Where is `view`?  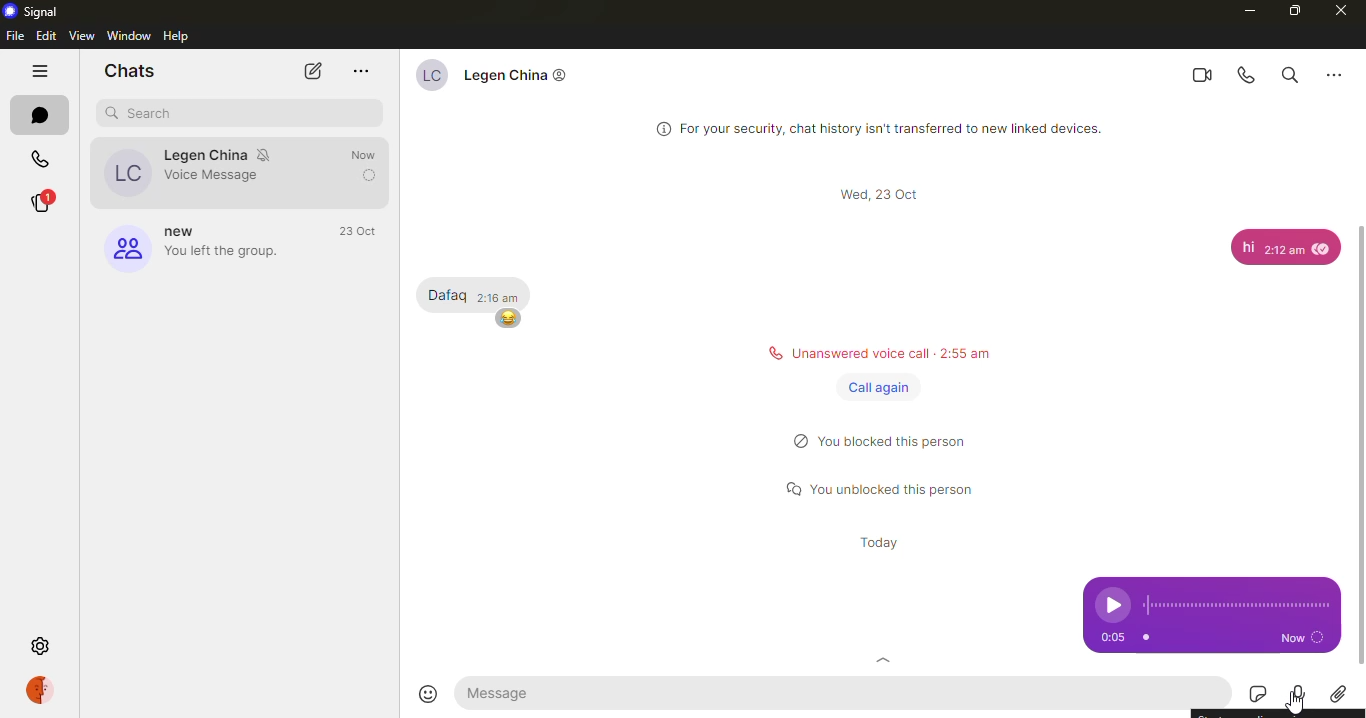
view is located at coordinates (82, 35).